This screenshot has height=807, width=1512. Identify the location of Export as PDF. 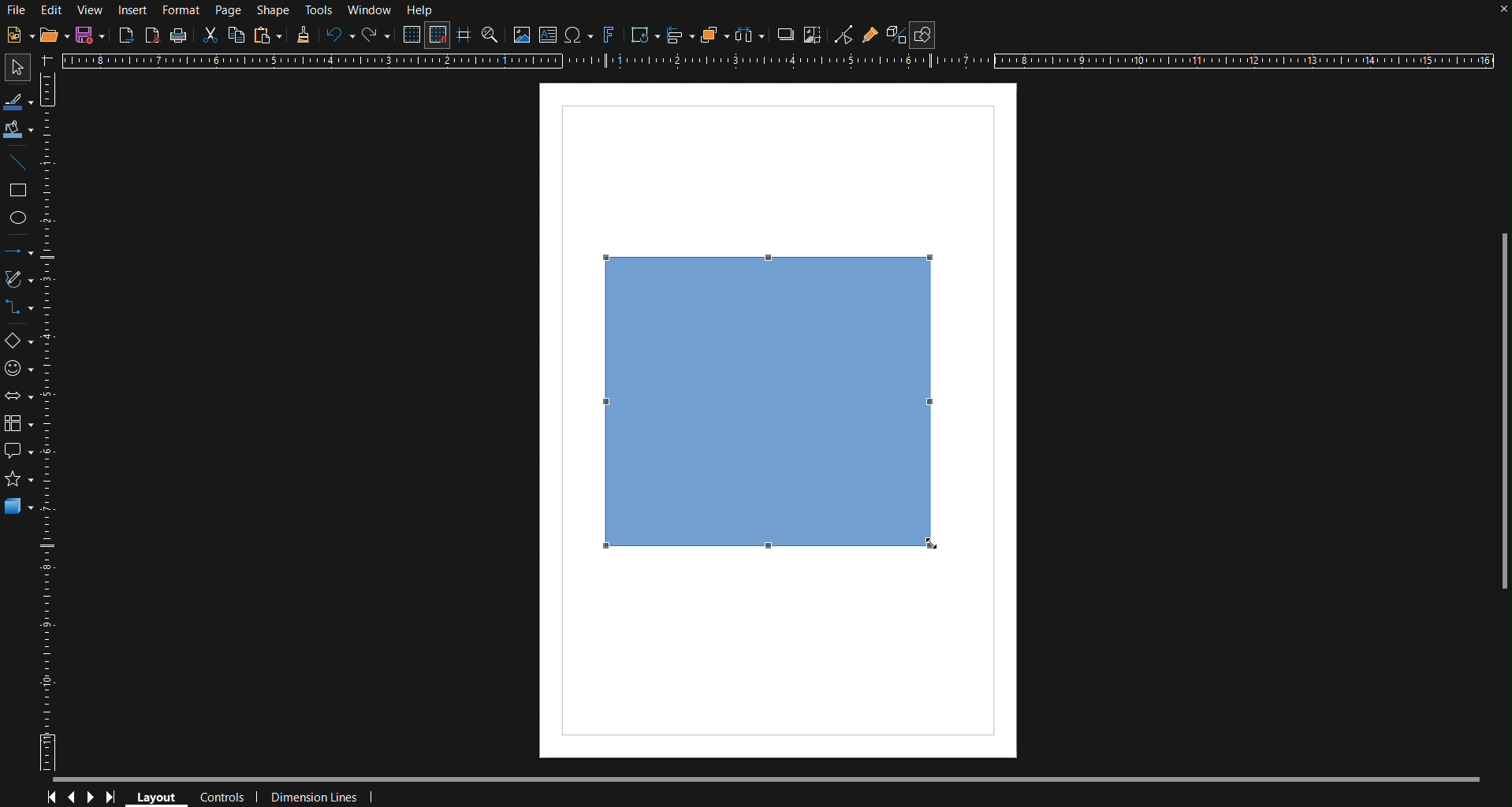
(152, 35).